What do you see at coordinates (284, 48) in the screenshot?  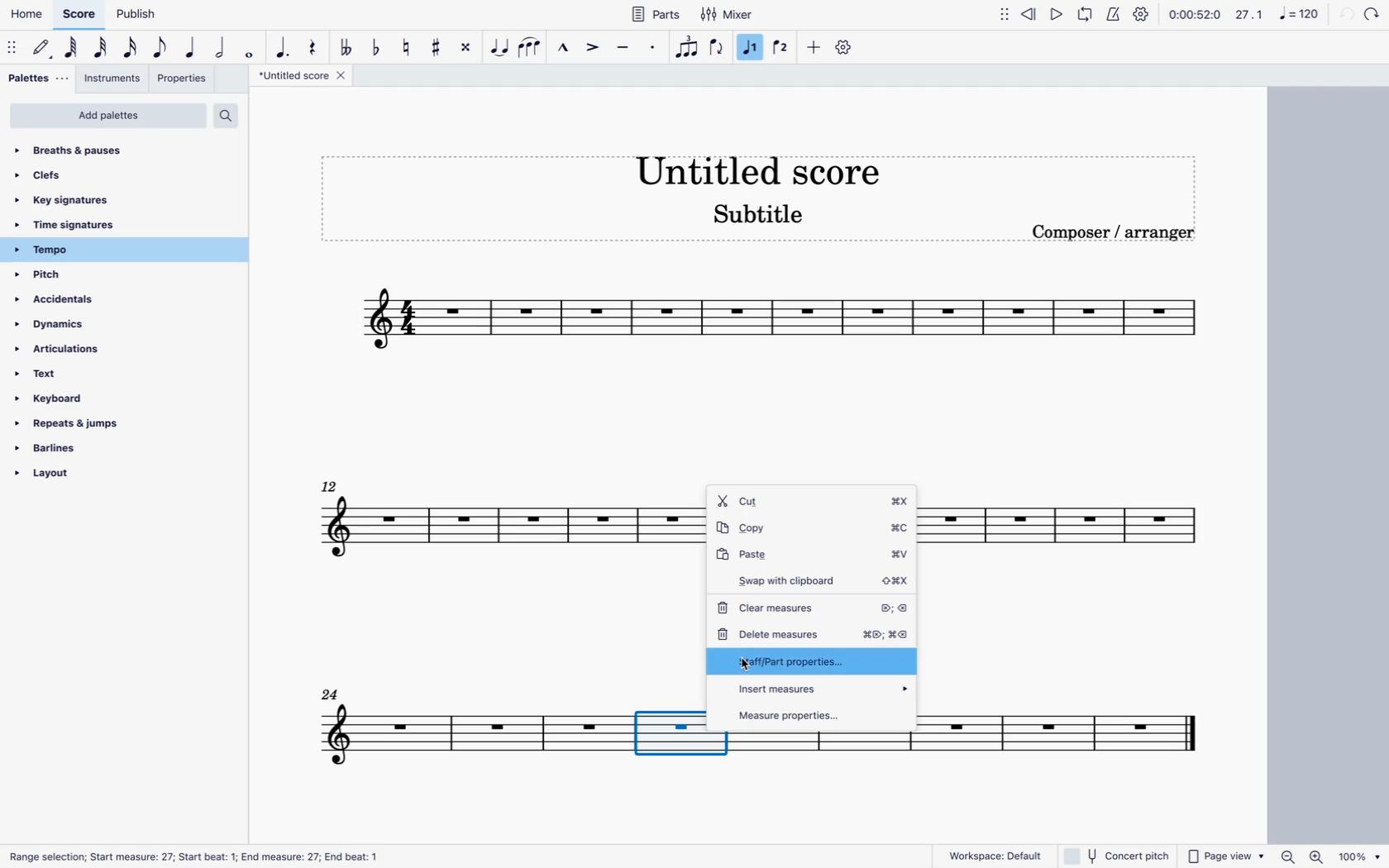 I see `augmentative dot` at bounding box center [284, 48].